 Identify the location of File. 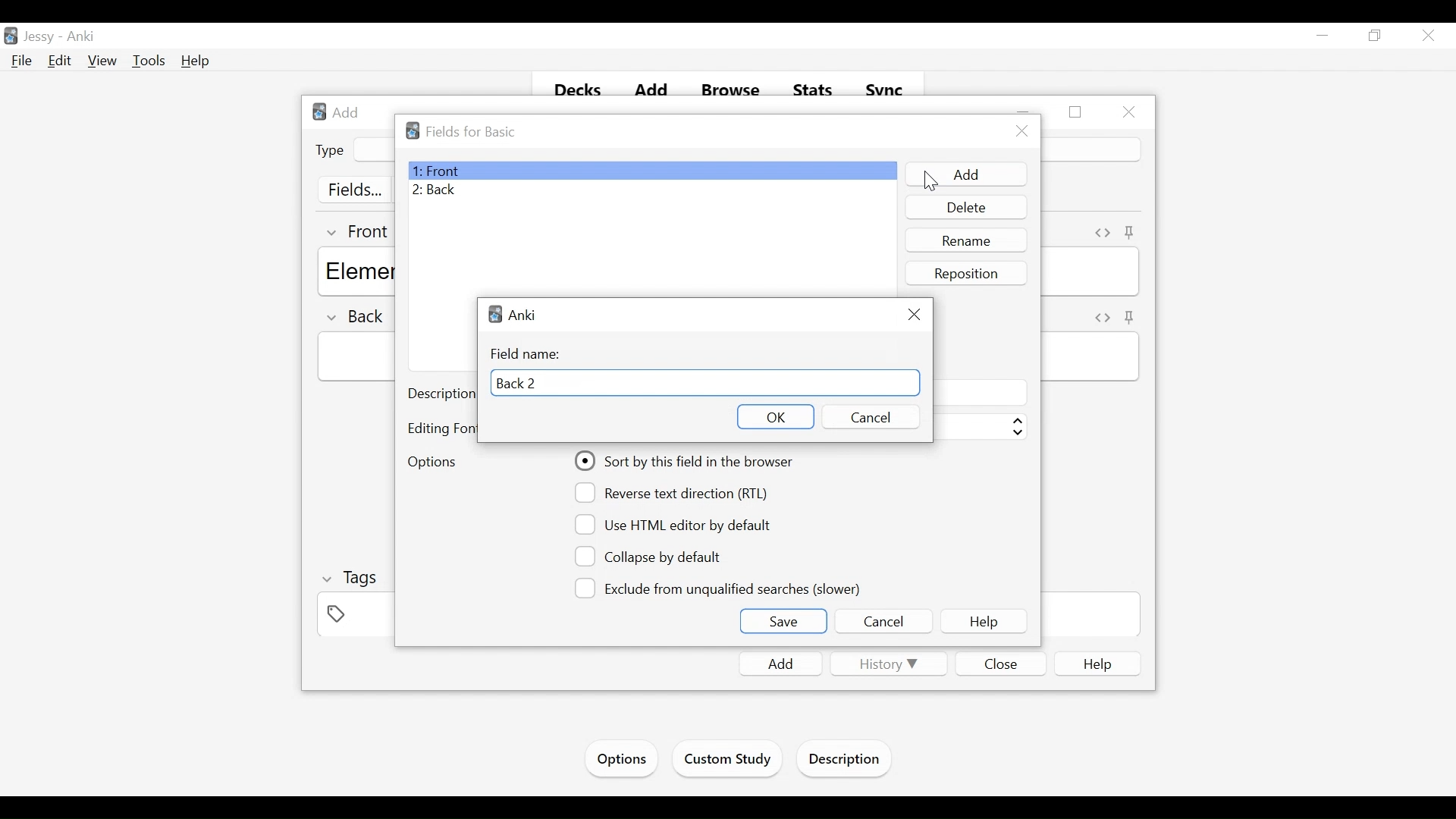
(22, 61).